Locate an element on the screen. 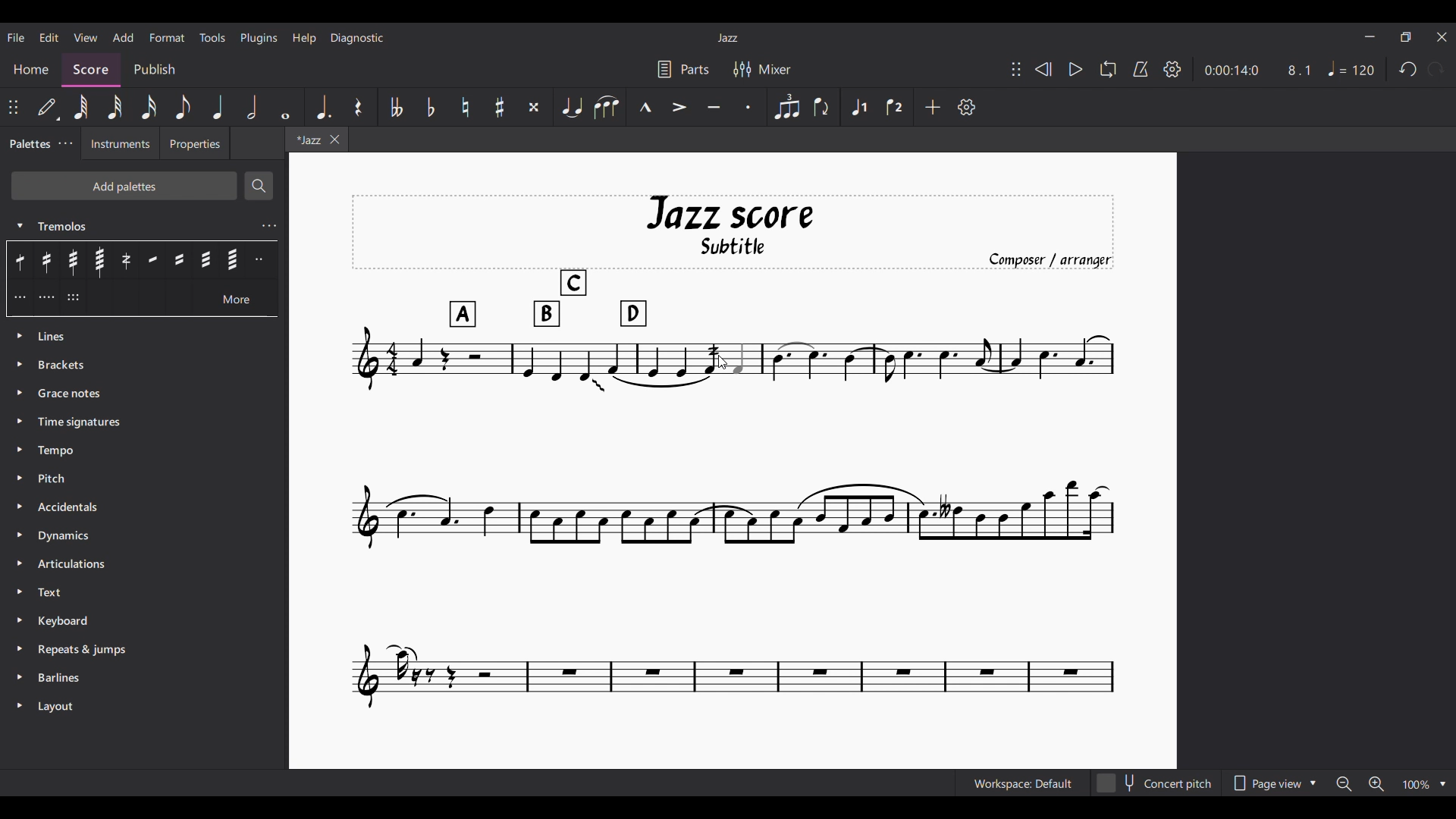 The width and height of the screenshot is (1456, 819). Half note is located at coordinates (252, 106).